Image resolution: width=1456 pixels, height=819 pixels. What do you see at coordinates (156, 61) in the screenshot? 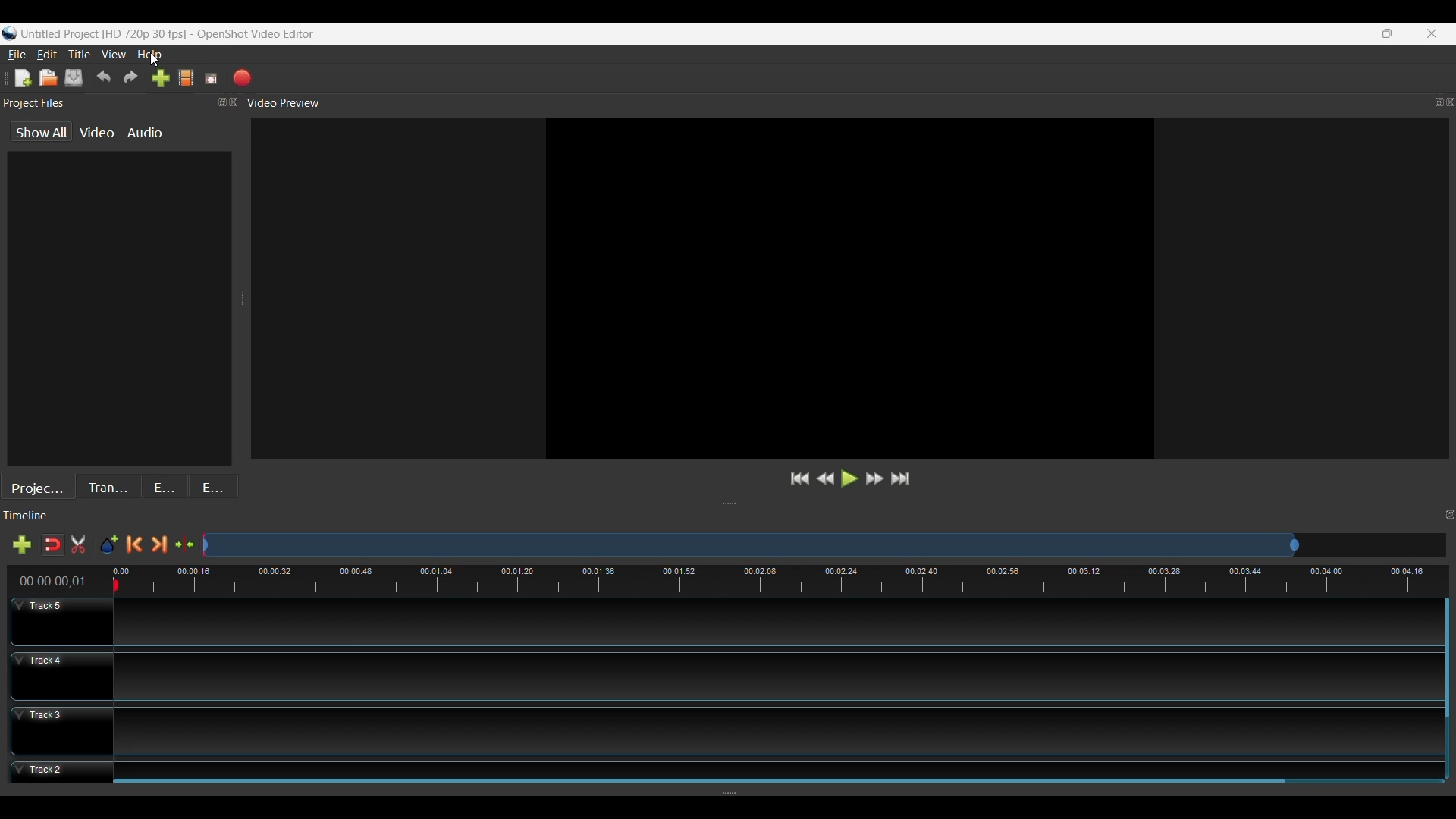
I see `Cursor` at bounding box center [156, 61].